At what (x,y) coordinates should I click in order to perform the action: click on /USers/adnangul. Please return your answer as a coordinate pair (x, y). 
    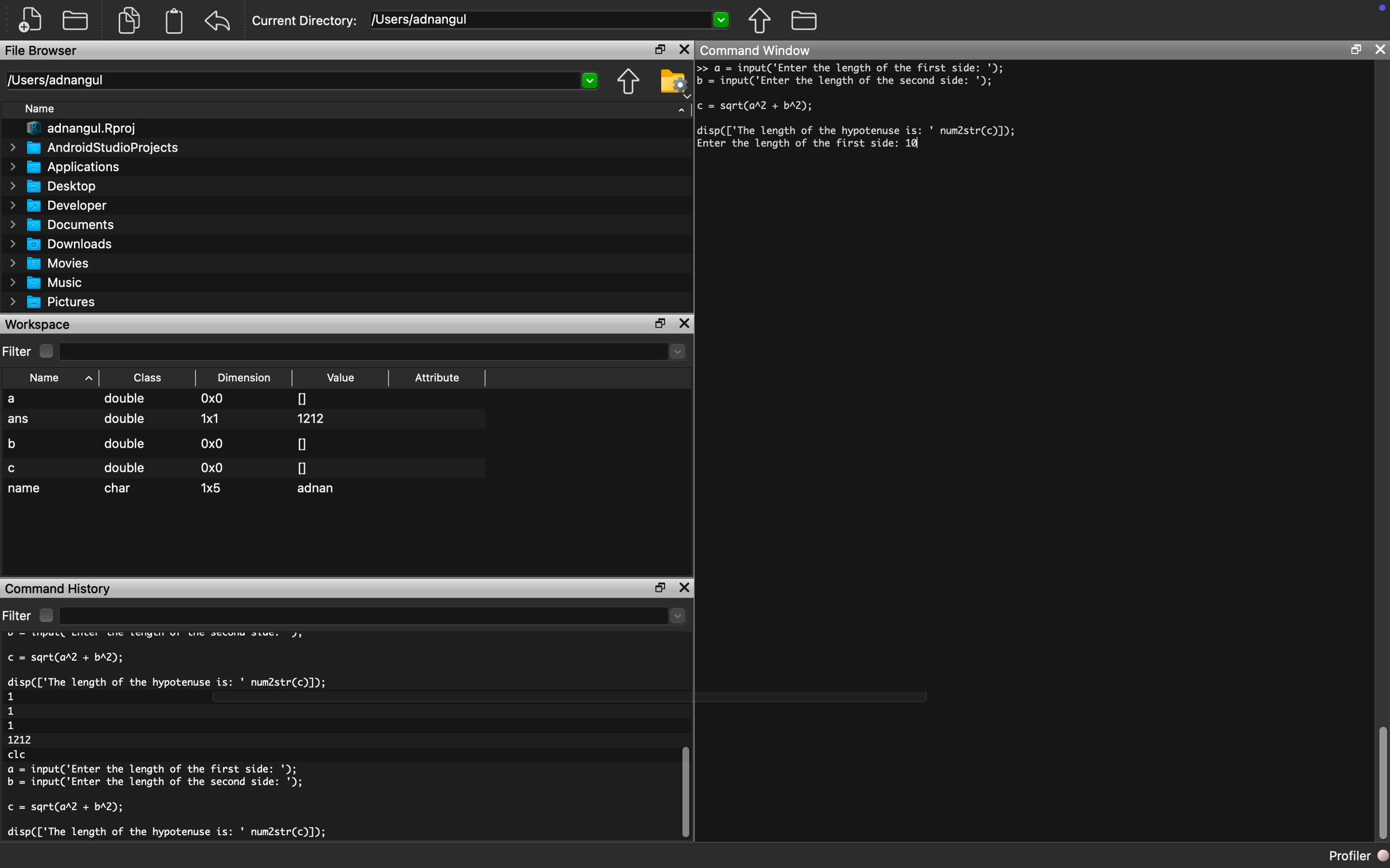
    Looking at the image, I should click on (551, 20).